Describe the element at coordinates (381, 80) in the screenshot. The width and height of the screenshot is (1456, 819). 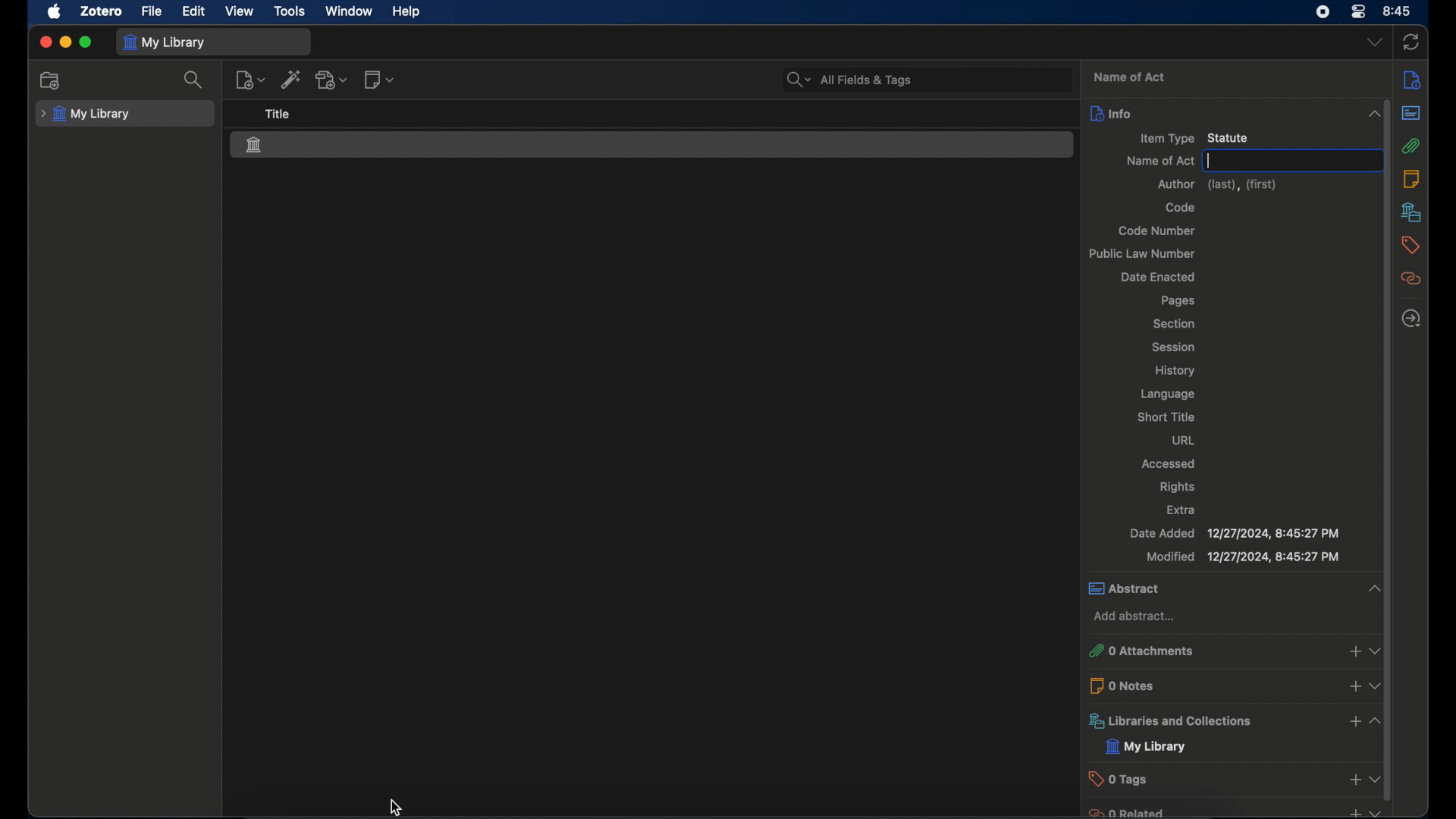
I see `new note` at that location.